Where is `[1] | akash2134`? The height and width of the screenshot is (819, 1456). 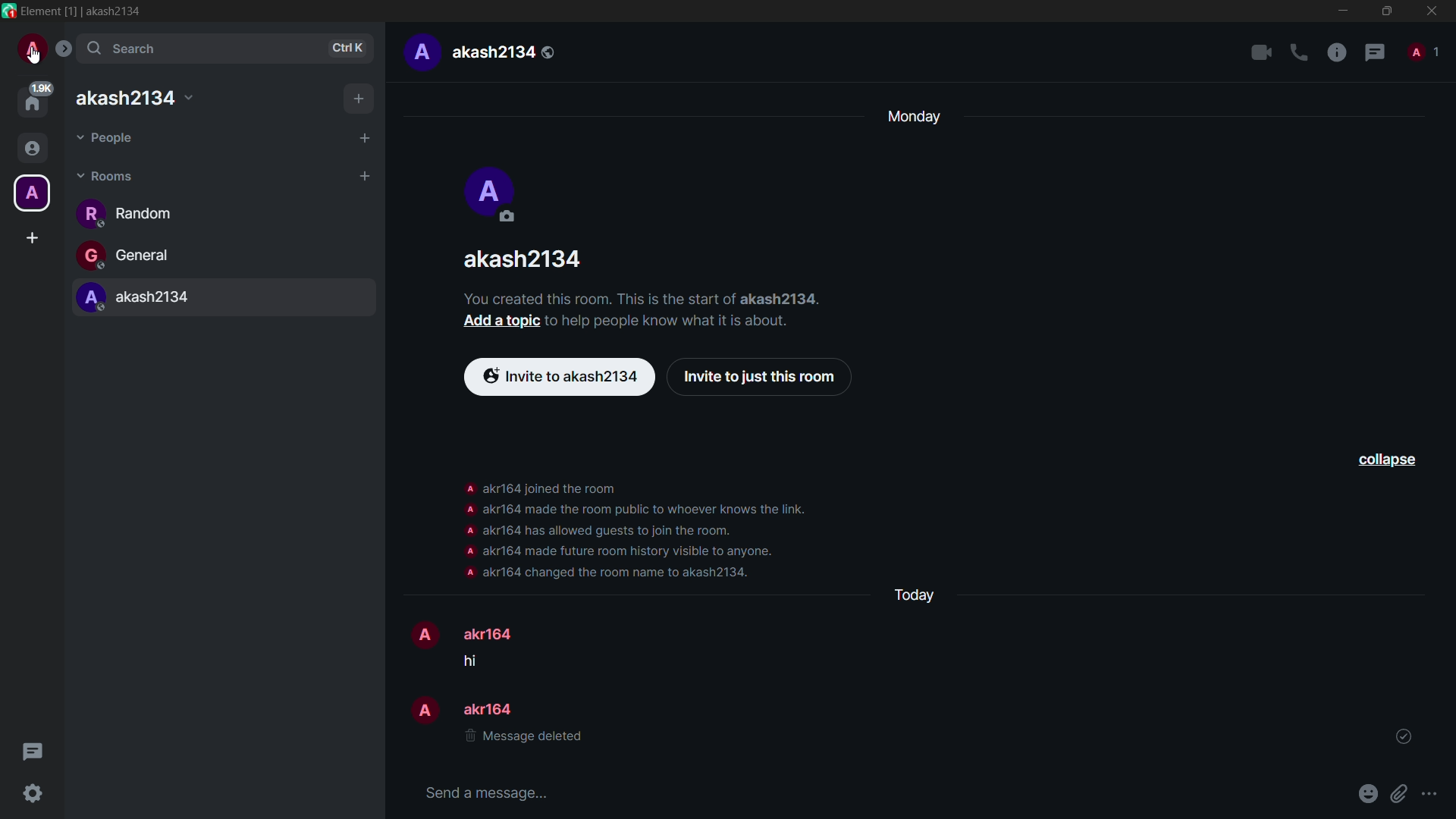
[1] | akash2134 is located at coordinates (107, 11).